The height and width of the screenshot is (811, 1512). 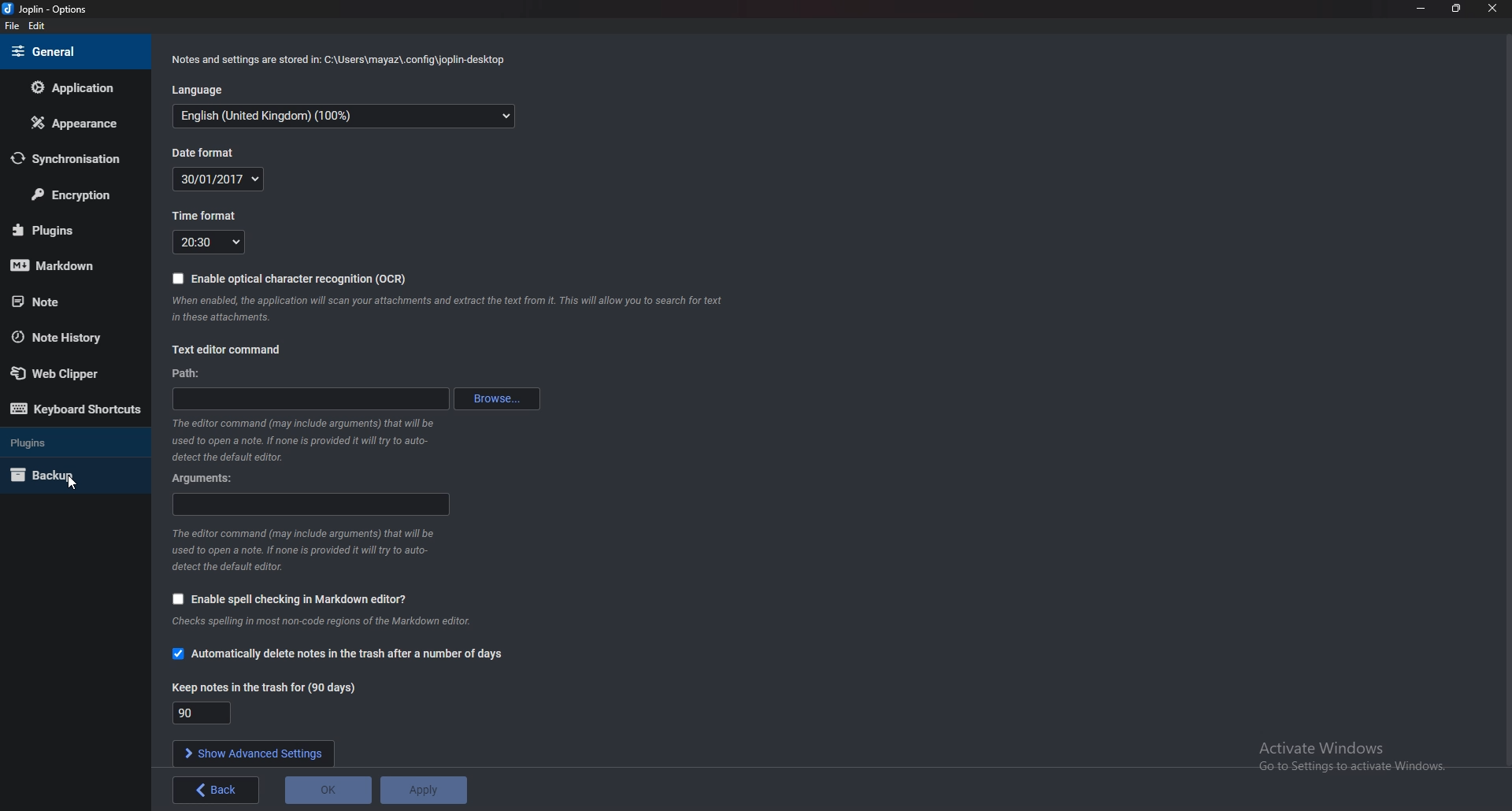 What do you see at coordinates (46, 9) in the screenshot?
I see `Joplin` at bounding box center [46, 9].